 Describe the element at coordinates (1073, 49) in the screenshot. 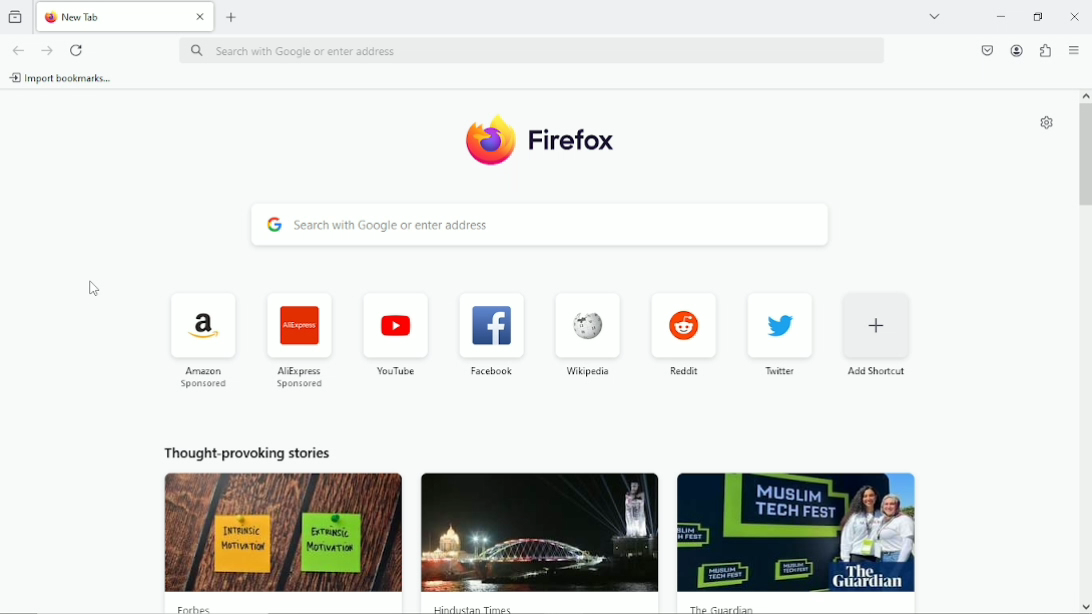

I see `Open application menu` at that location.